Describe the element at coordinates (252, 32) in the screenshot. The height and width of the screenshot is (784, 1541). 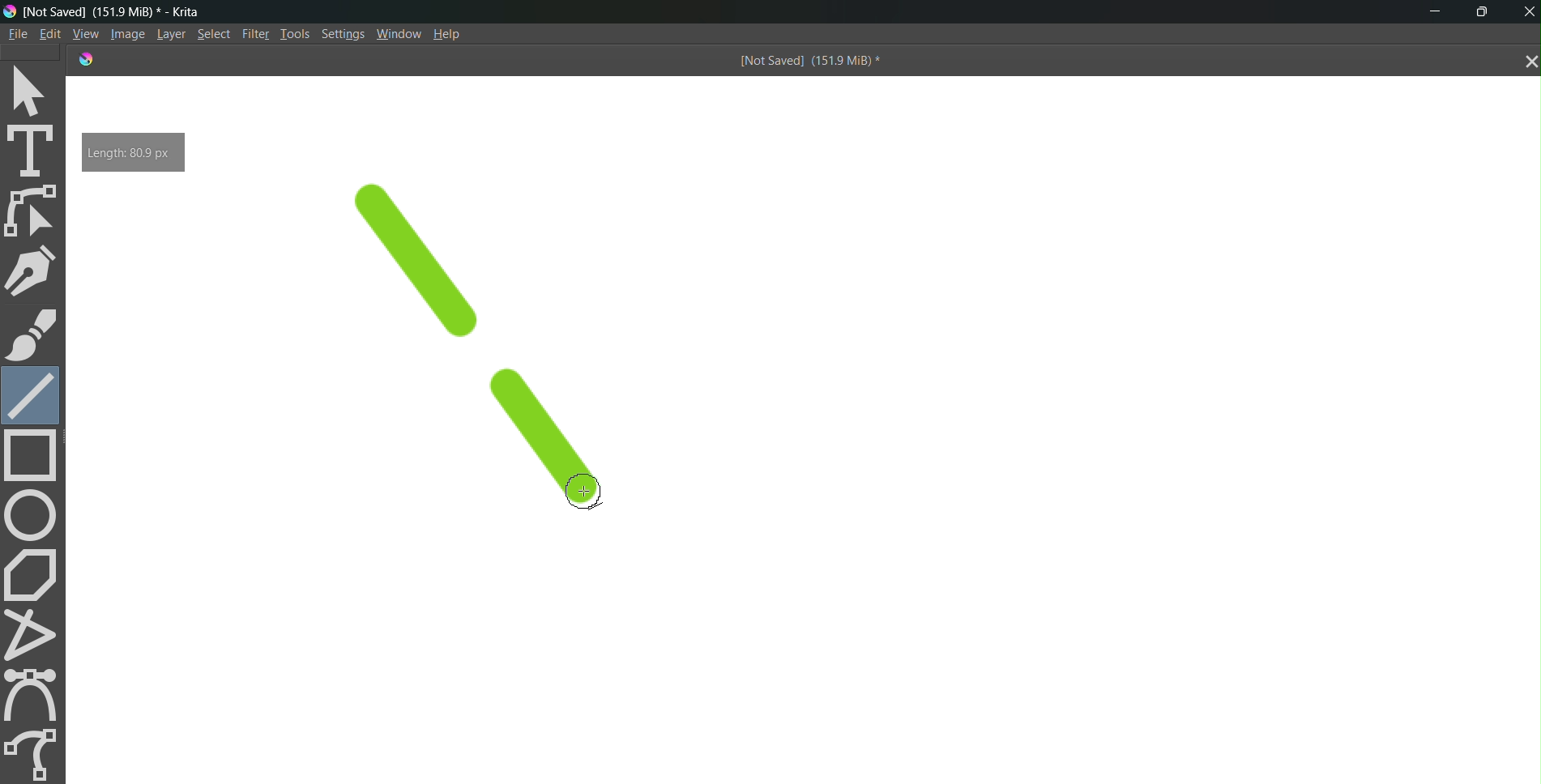
I see `Filte` at that location.